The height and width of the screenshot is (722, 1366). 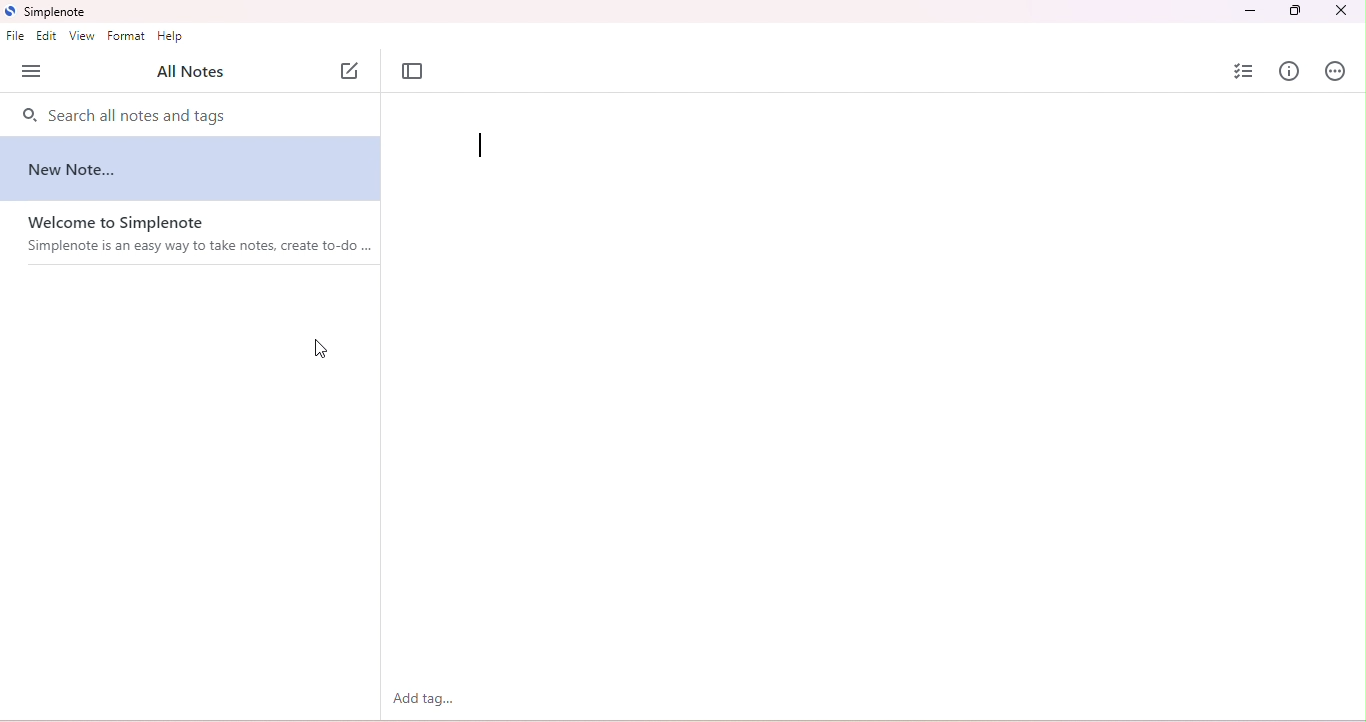 What do you see at coordinates (323, 342) in the screenshot?
I see `cursor` at bounding box center [323, 342].